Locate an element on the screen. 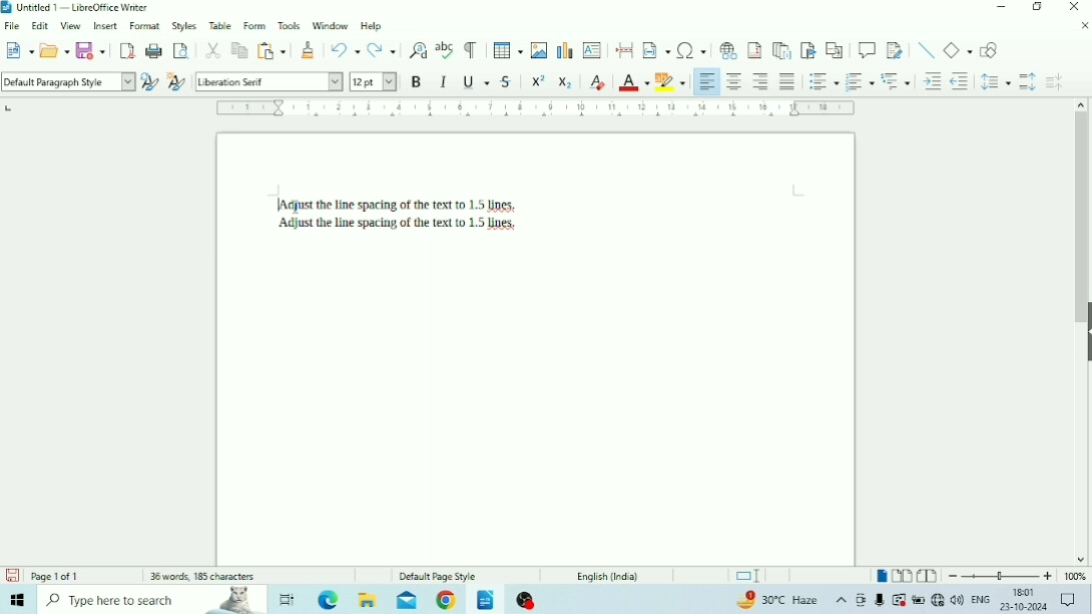 Image resolution: width=1092 pixels, height=614 pixels. Basic Shapes is located at coordinates (957, 49).